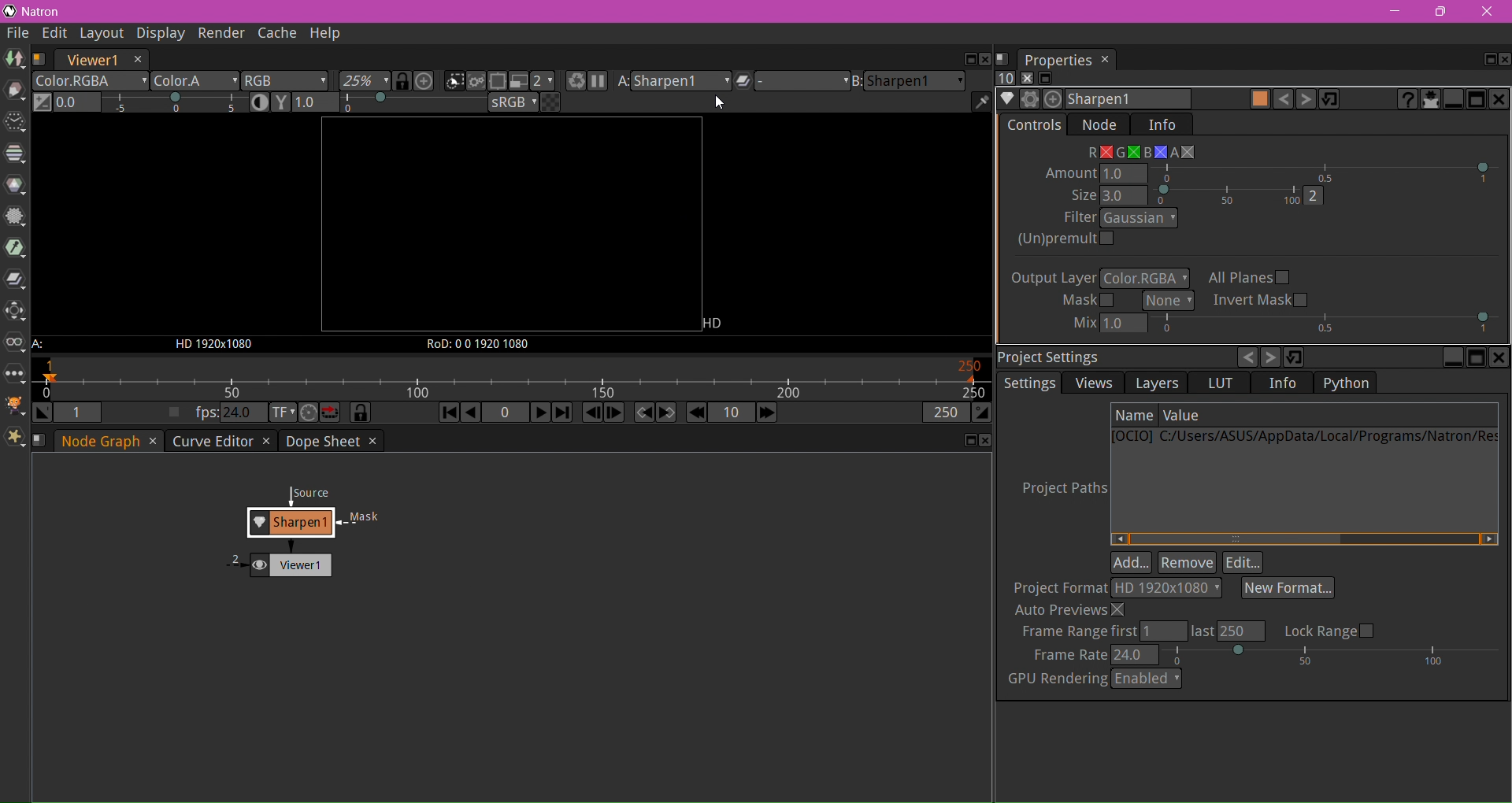 This screenshot has height=803, width=1512. I want to click on Restore Down, so click(1440, 12).